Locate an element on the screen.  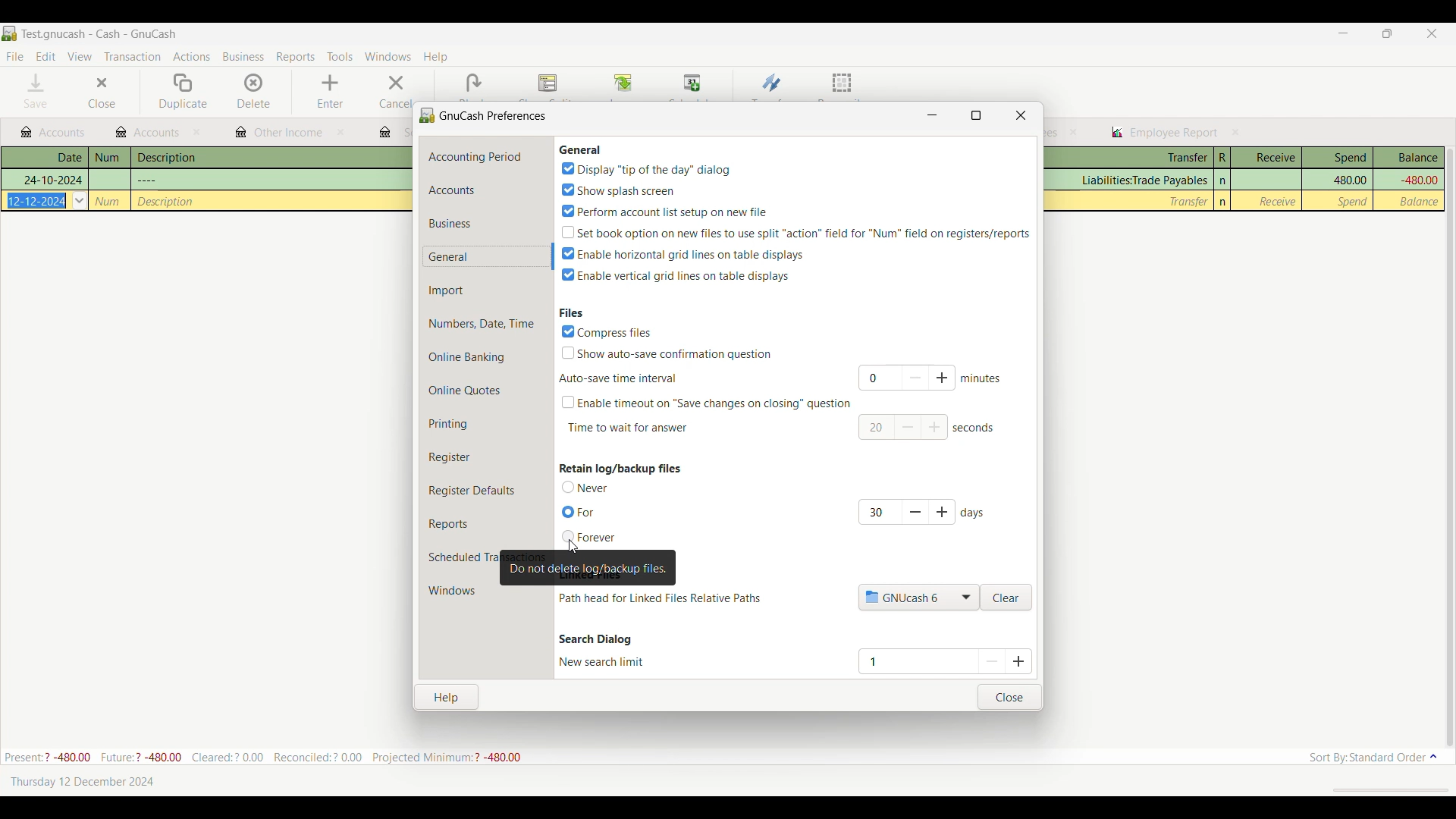
File menu is located at coordinates (14, 57).